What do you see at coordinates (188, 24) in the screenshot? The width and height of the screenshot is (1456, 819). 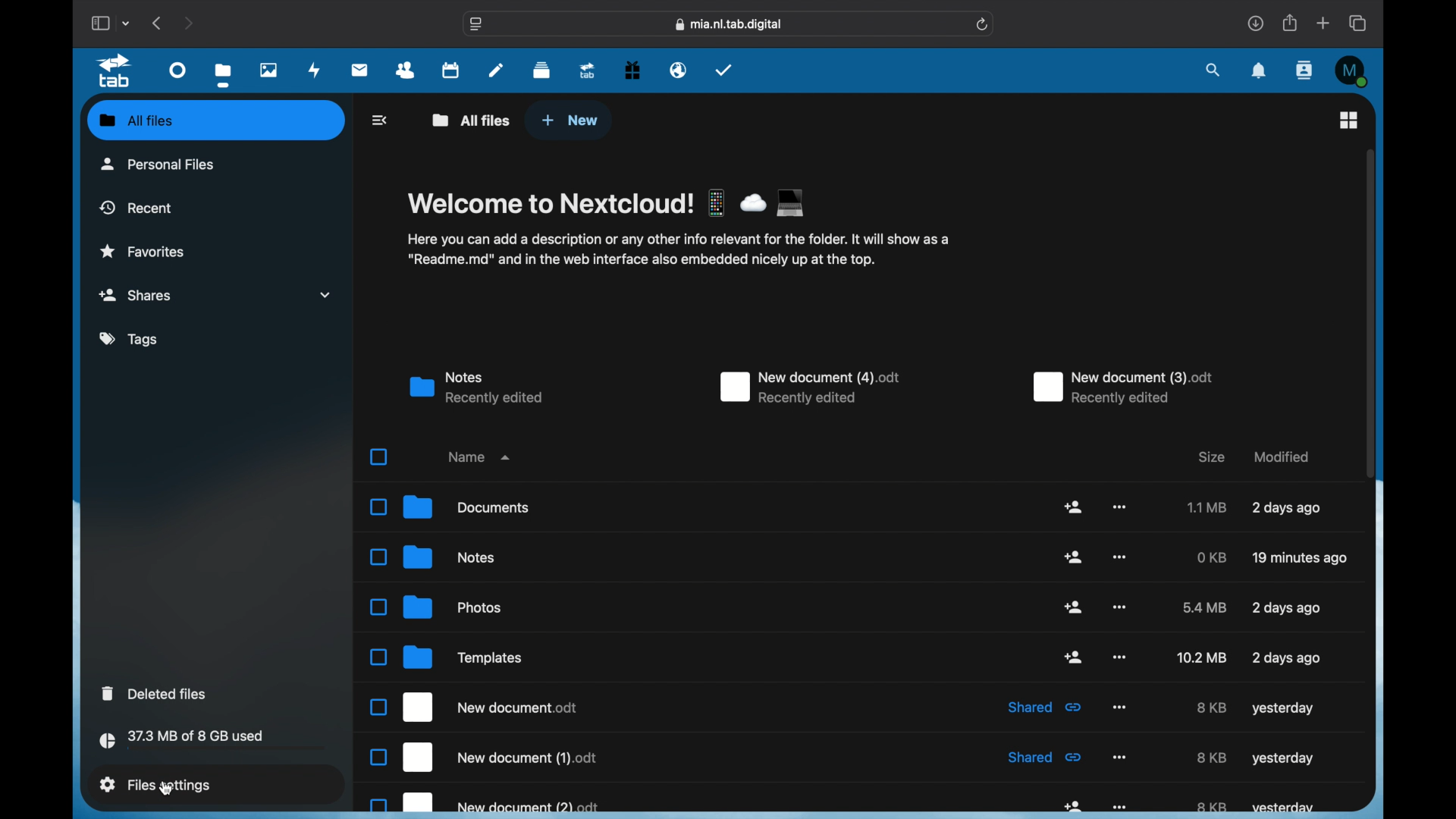 I see `next` at bounding box center [188, 24].